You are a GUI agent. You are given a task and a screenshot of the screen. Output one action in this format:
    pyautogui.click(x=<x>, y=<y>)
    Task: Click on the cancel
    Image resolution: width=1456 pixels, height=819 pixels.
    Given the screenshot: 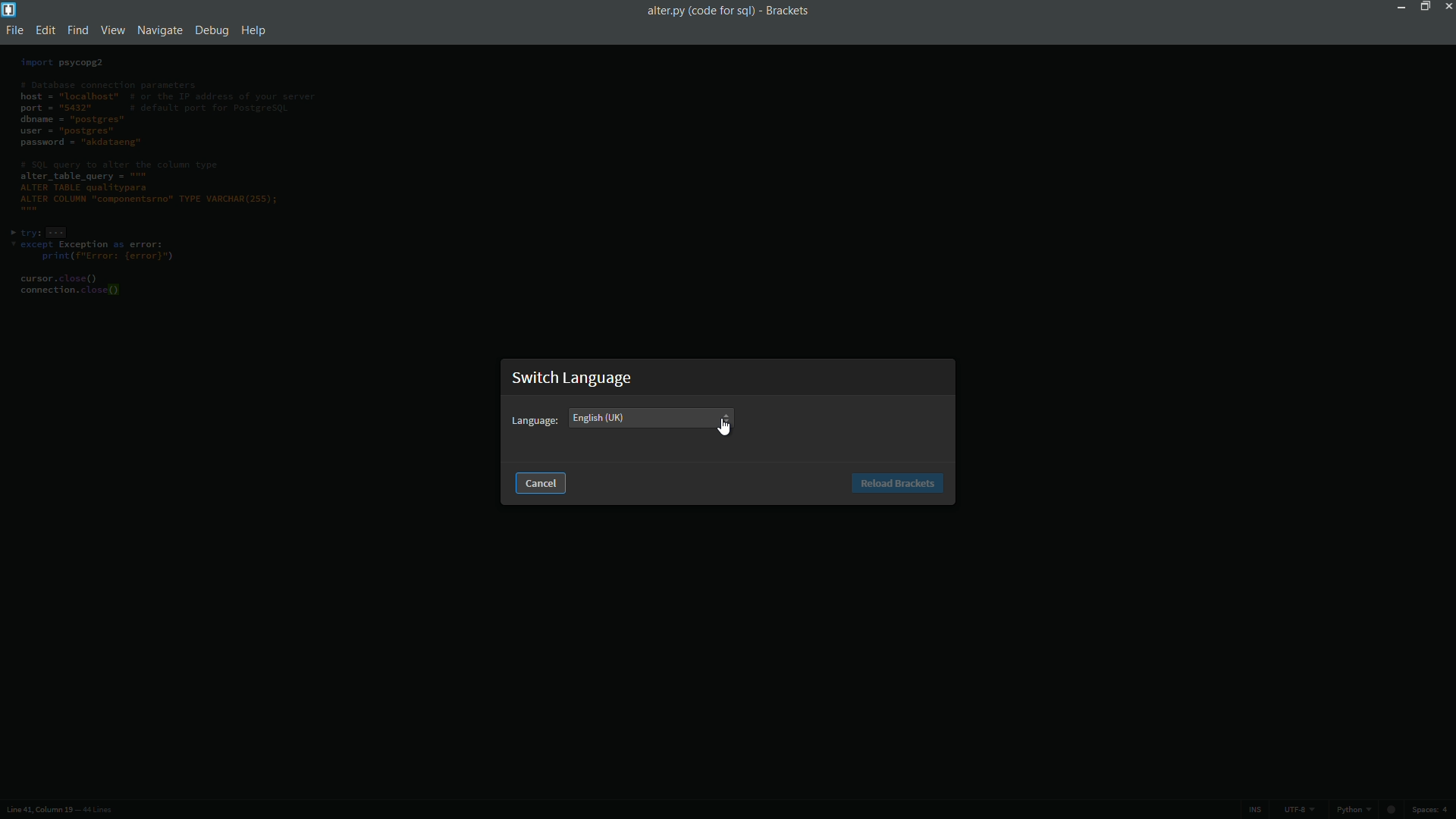 What is the action you would take?
    pyautogui.click(x=540, y=484)
    